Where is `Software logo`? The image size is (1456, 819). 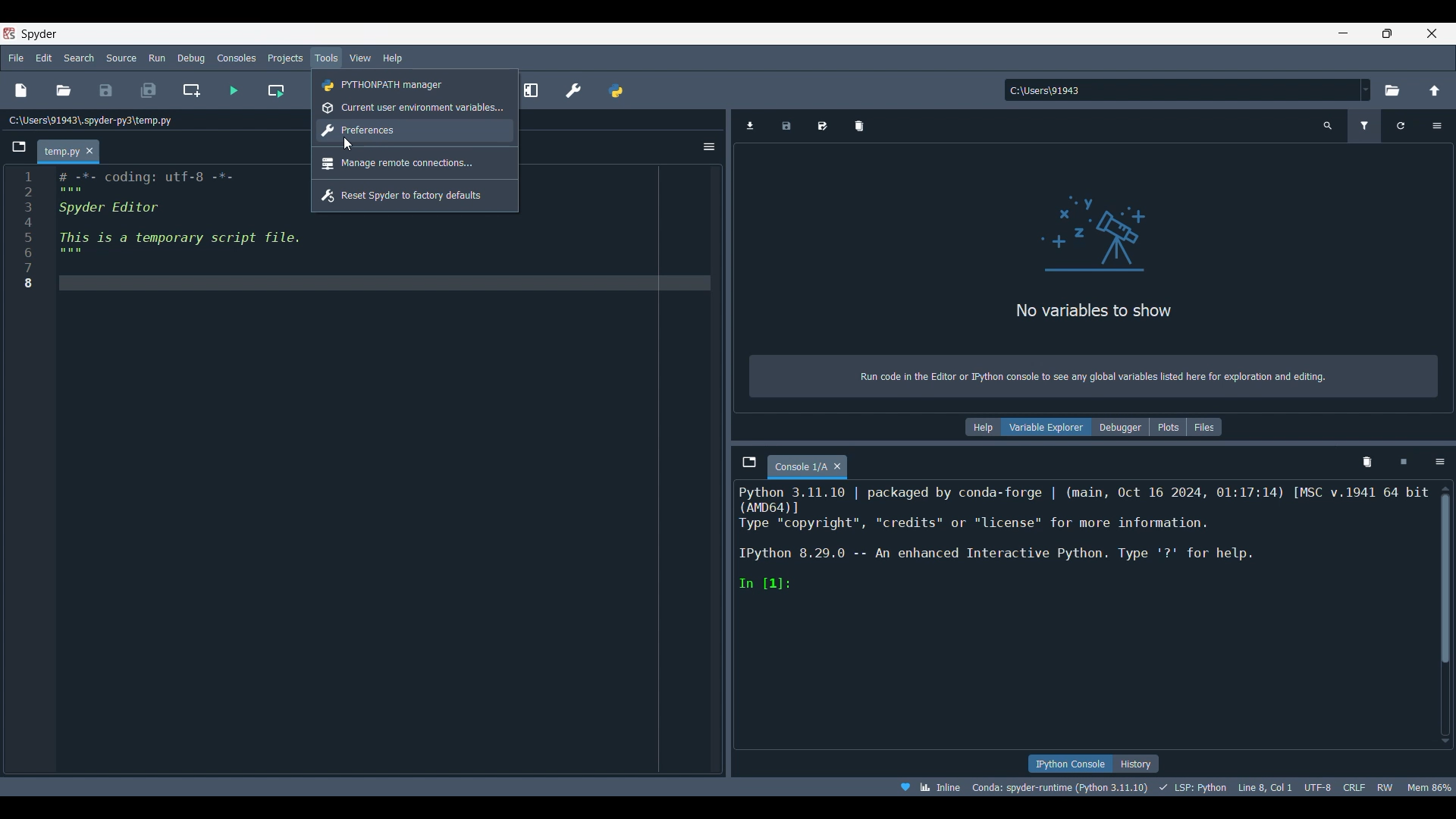 Software logo is located at coordinates (9, 33).